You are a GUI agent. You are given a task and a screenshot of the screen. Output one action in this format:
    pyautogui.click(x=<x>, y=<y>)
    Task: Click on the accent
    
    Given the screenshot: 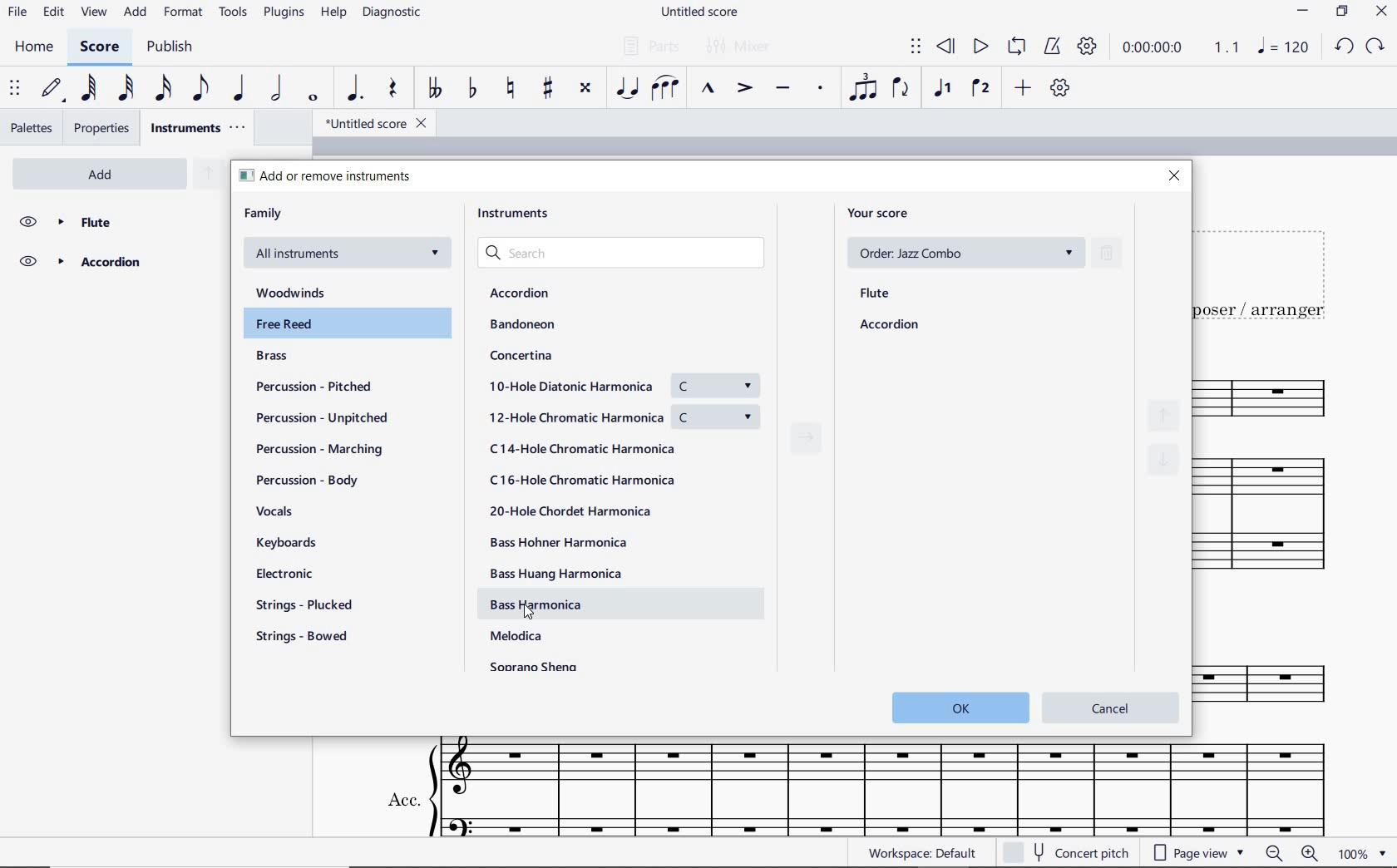 What is the action you would take?
    pyautogui.click(x=744, y=89)
    